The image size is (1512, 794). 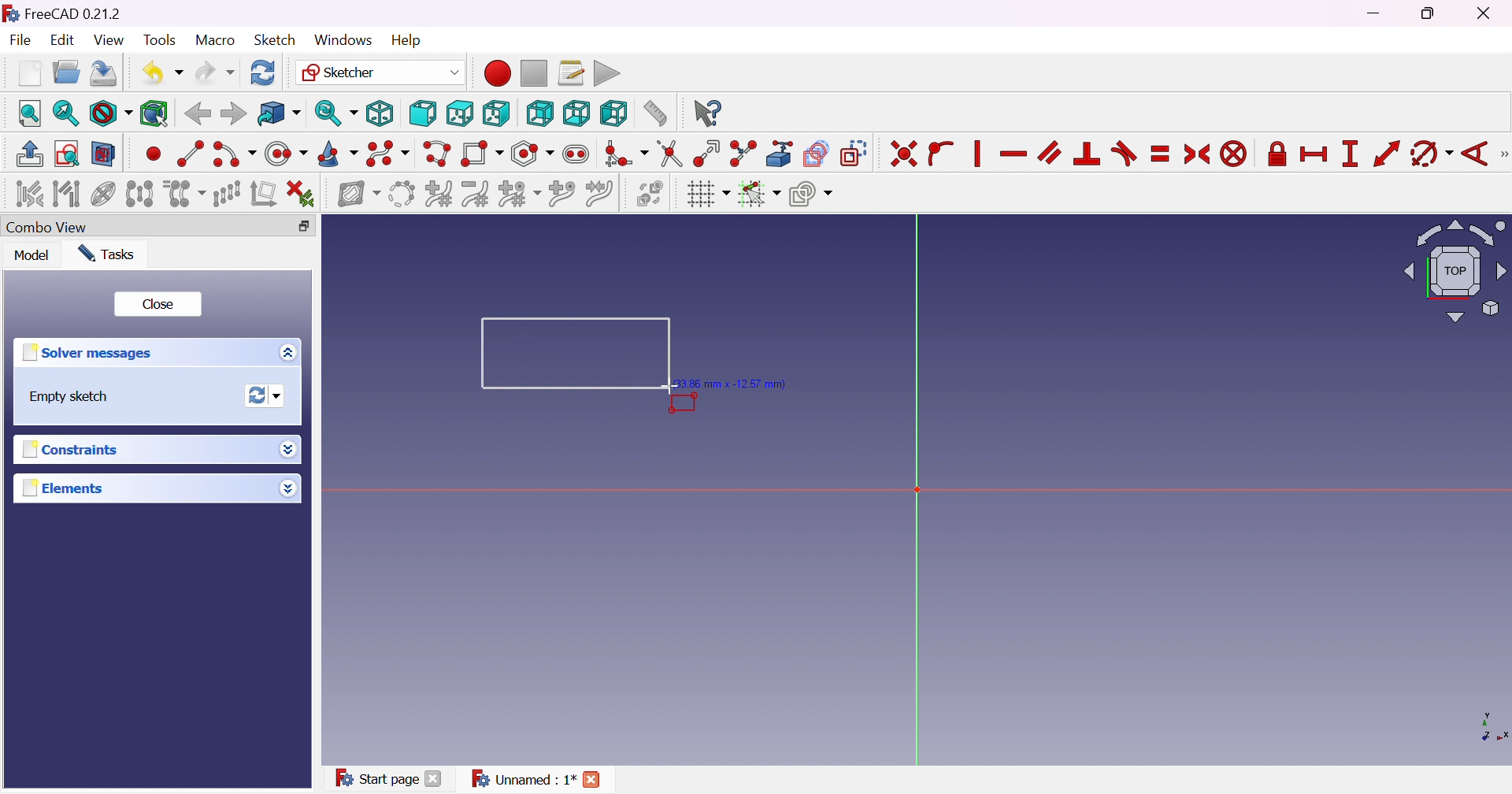 What do you see at coordinates (1487, 14) in the screenshot?
I see `Close` at bounding box center [1487, 14].